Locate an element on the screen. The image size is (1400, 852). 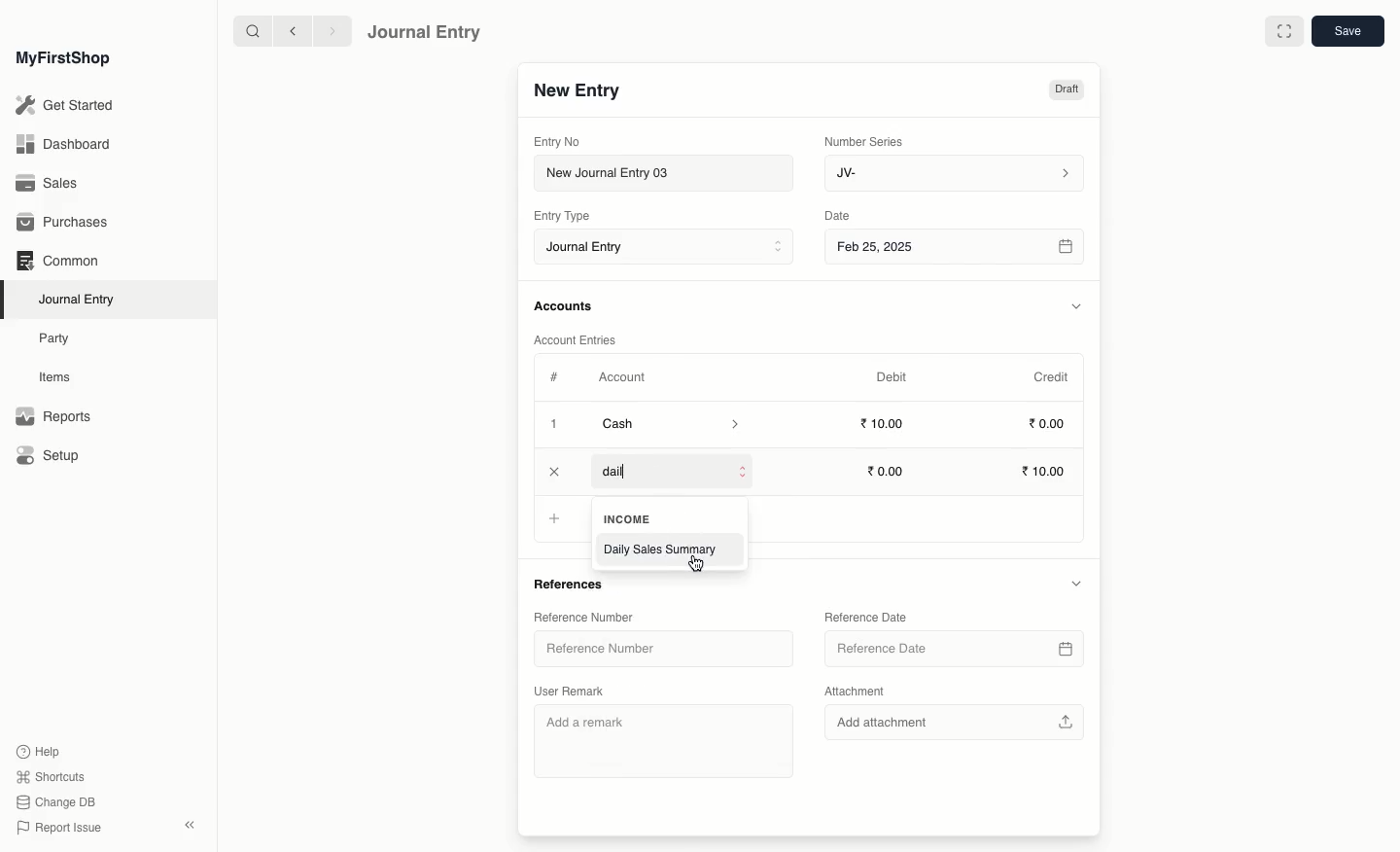
10.00 is located at coordinates (888, 424).